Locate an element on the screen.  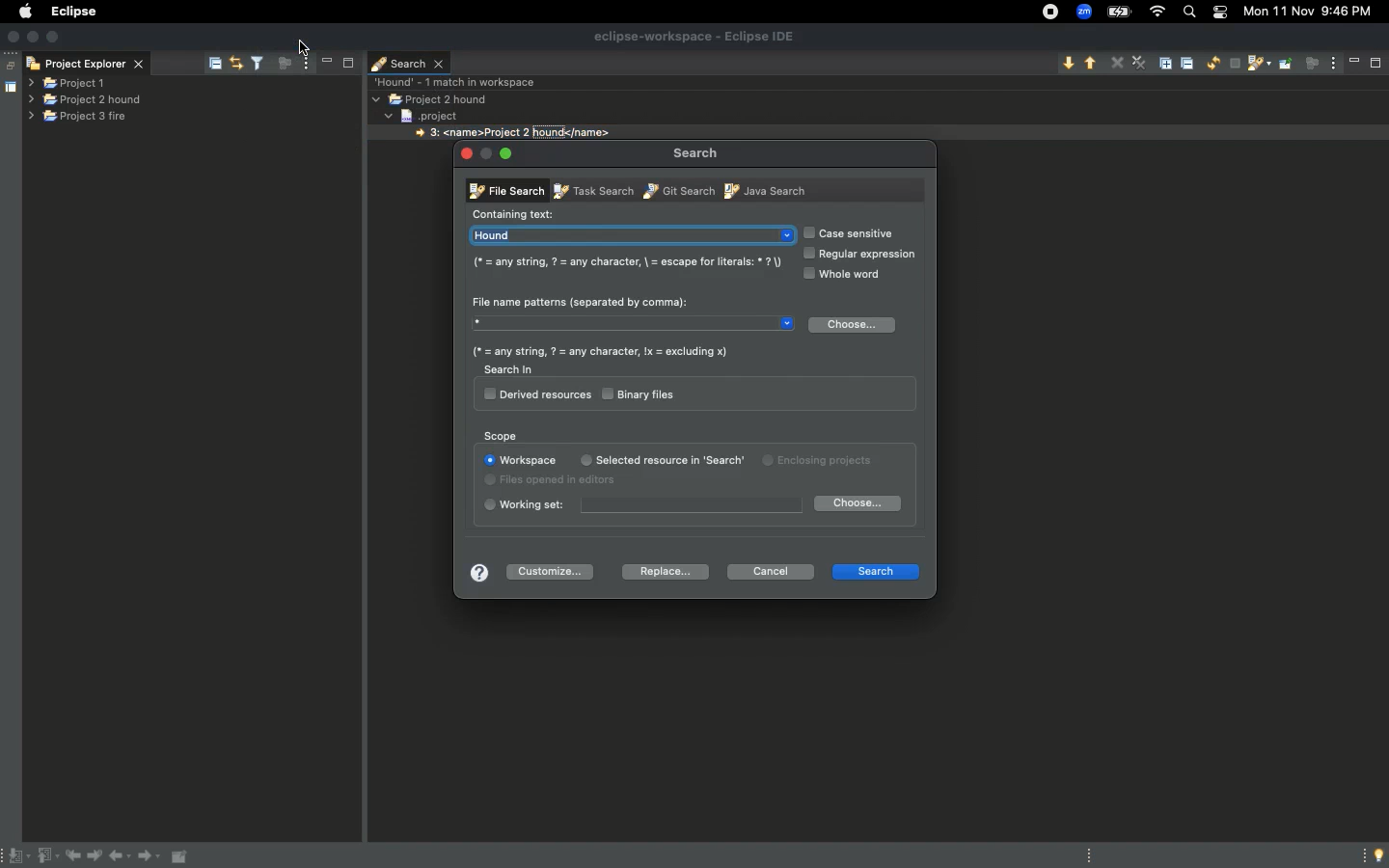
Back is located at coordinates (122, 858).